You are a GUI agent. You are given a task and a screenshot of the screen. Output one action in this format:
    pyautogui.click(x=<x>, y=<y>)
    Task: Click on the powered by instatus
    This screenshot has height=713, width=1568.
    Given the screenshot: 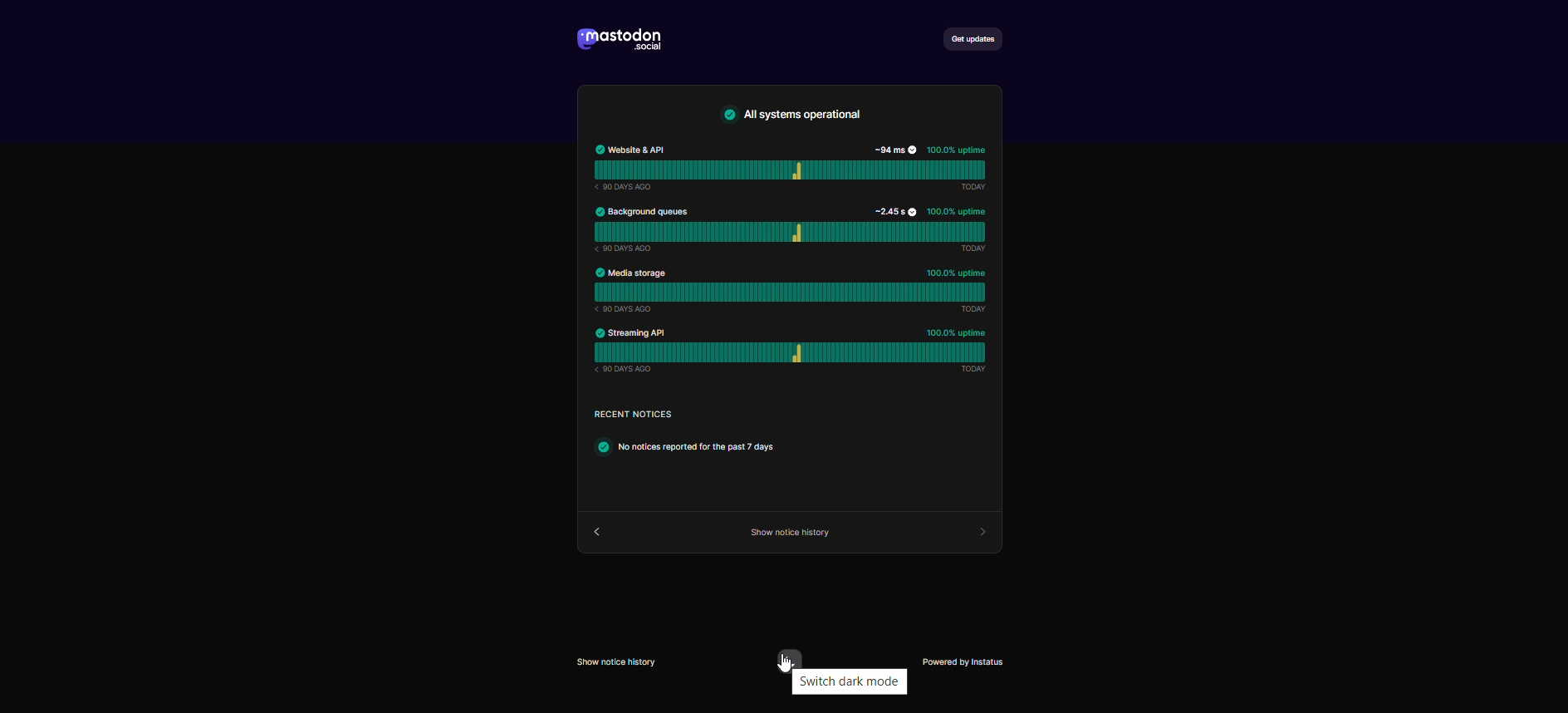 What is the action you would take?
    pyautogui.click(x=969, y=661)
    